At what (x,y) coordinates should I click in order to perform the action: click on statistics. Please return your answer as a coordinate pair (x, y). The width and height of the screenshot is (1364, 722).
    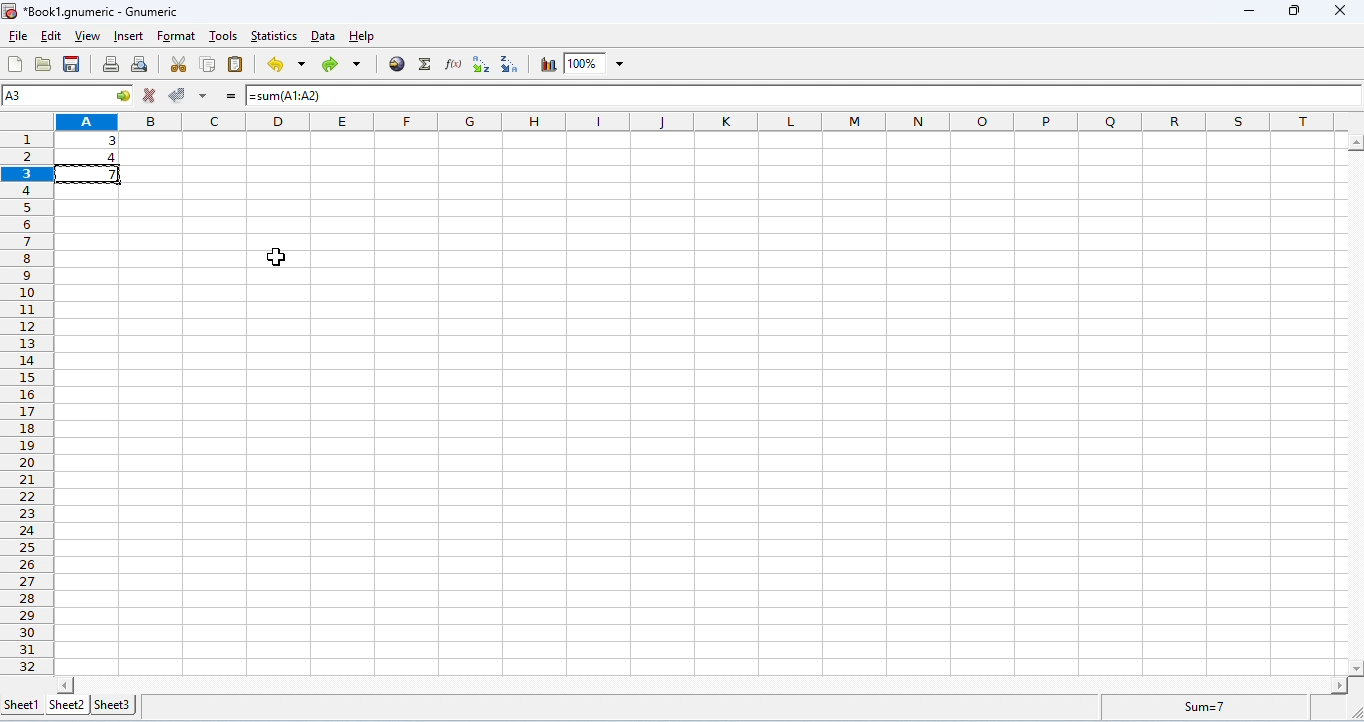
    Looking at the image, I should click on (275, 37).